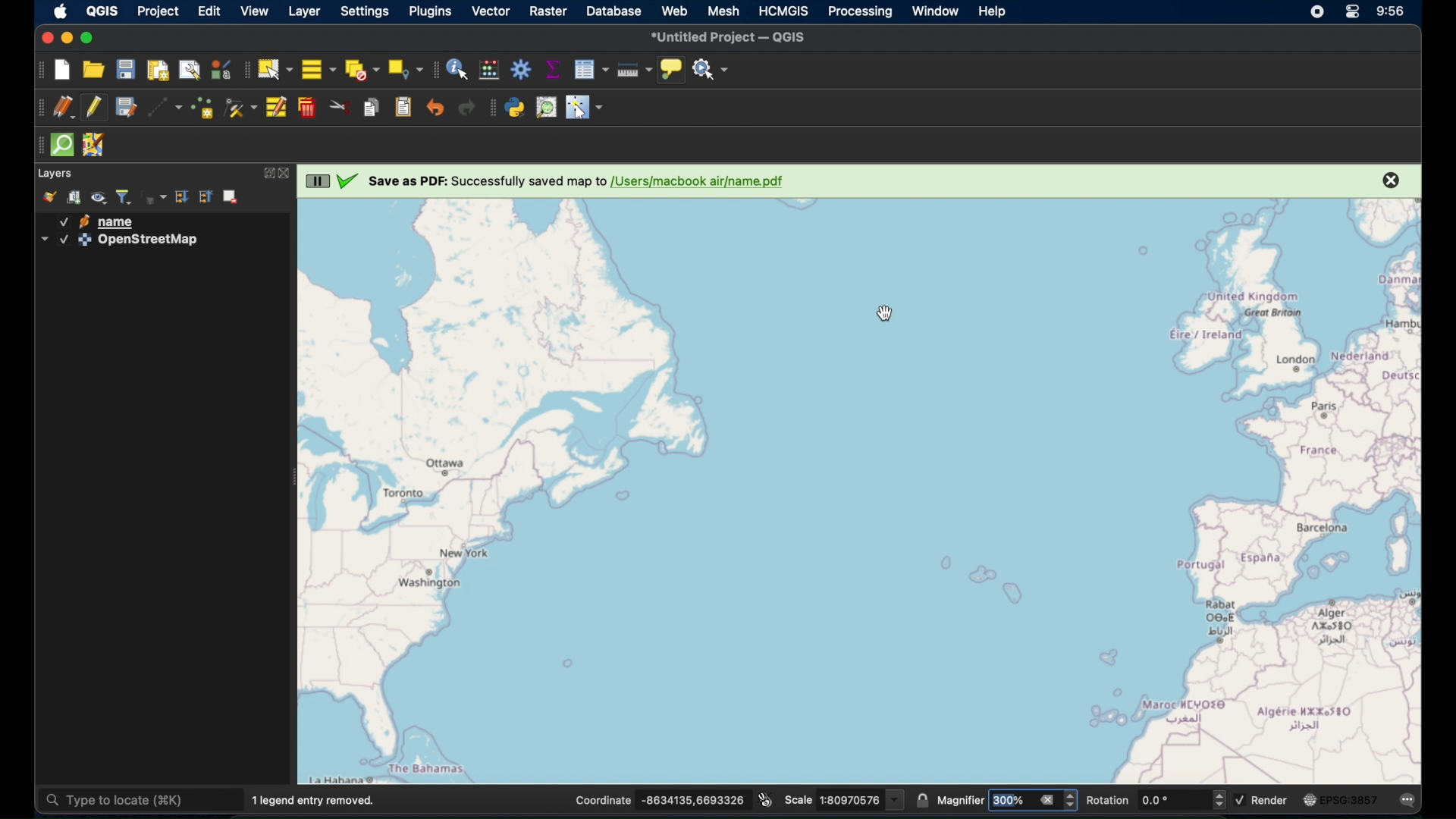 The width and height of the screenshot is (1456, 819). Describe the element at coordinates (675, 11) in the screenshot. I see `web` at that location.